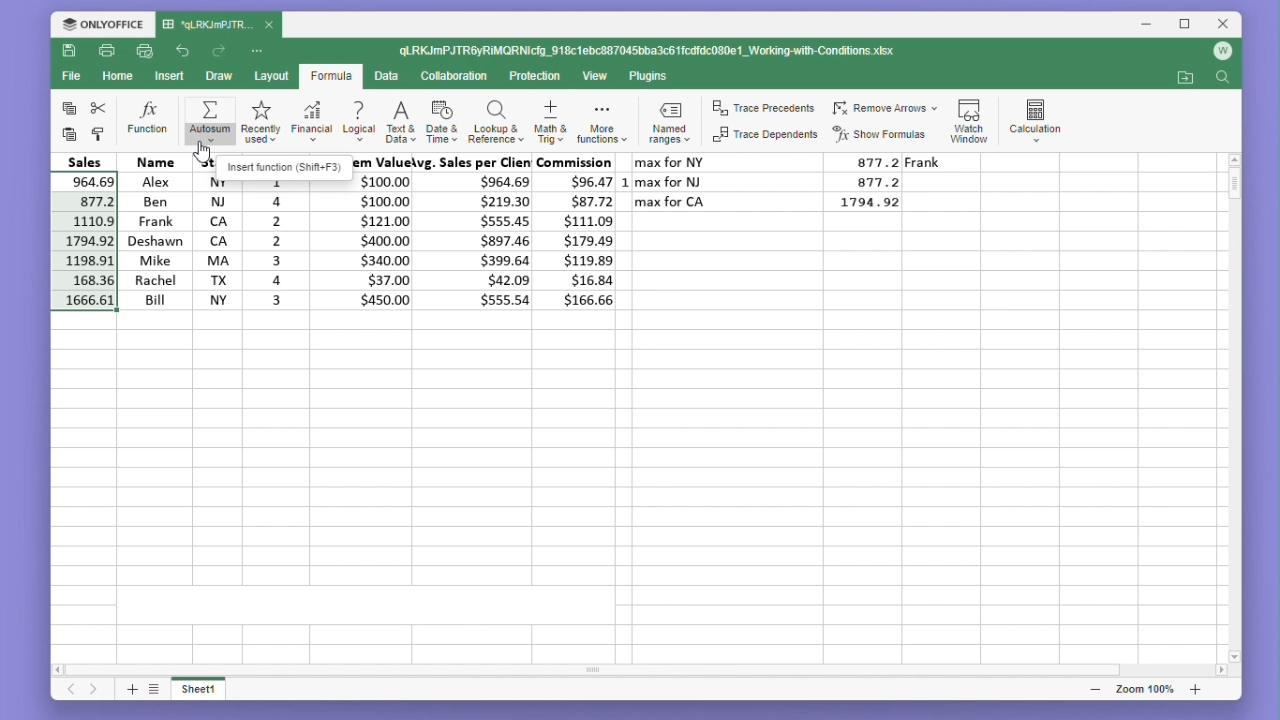  Describe the element at coordinates (130, 691) in the screenshot. I see `Add sheet` at that location.